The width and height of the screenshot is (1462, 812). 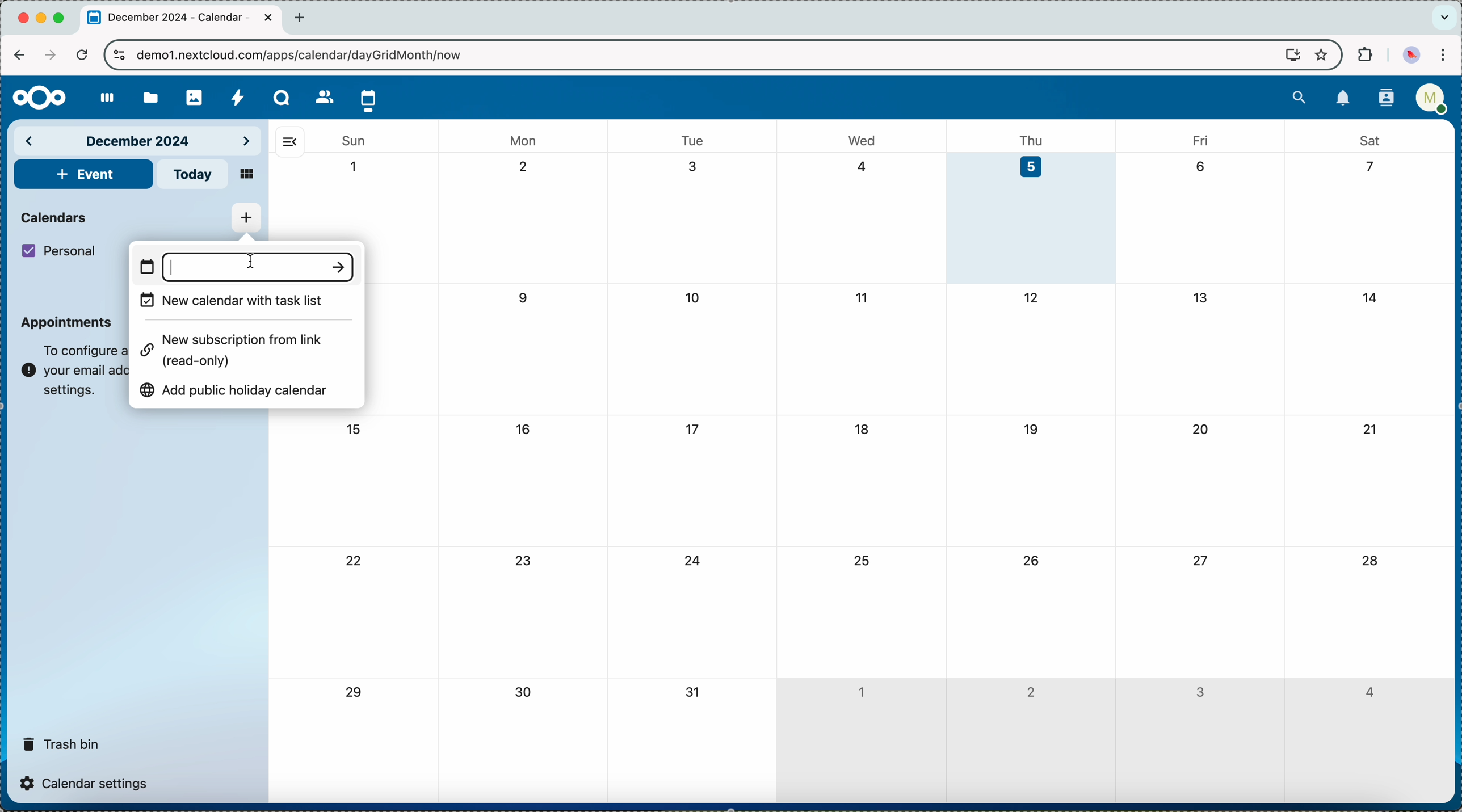 I want to click on new subscription from link, so click(x=237, y=348).